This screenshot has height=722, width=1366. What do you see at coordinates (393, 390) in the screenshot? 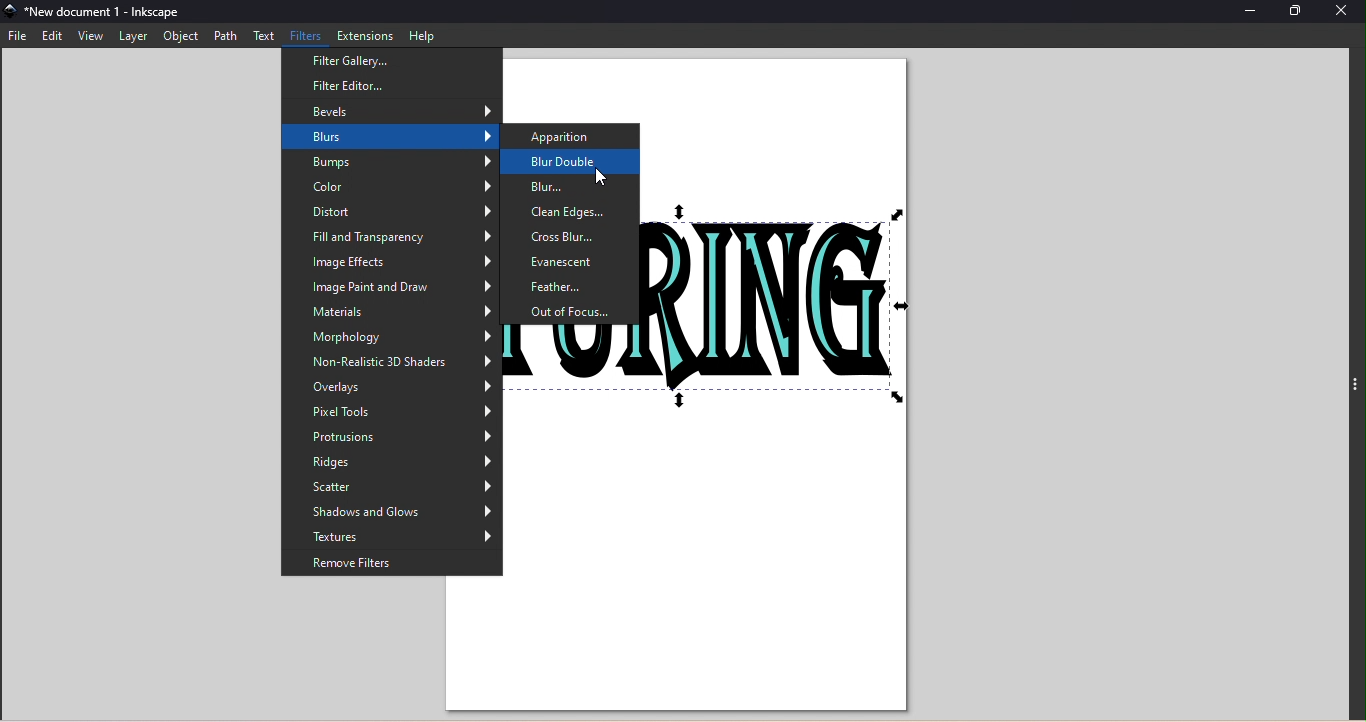
I see `Overlays` at bounding box center [393, 390].